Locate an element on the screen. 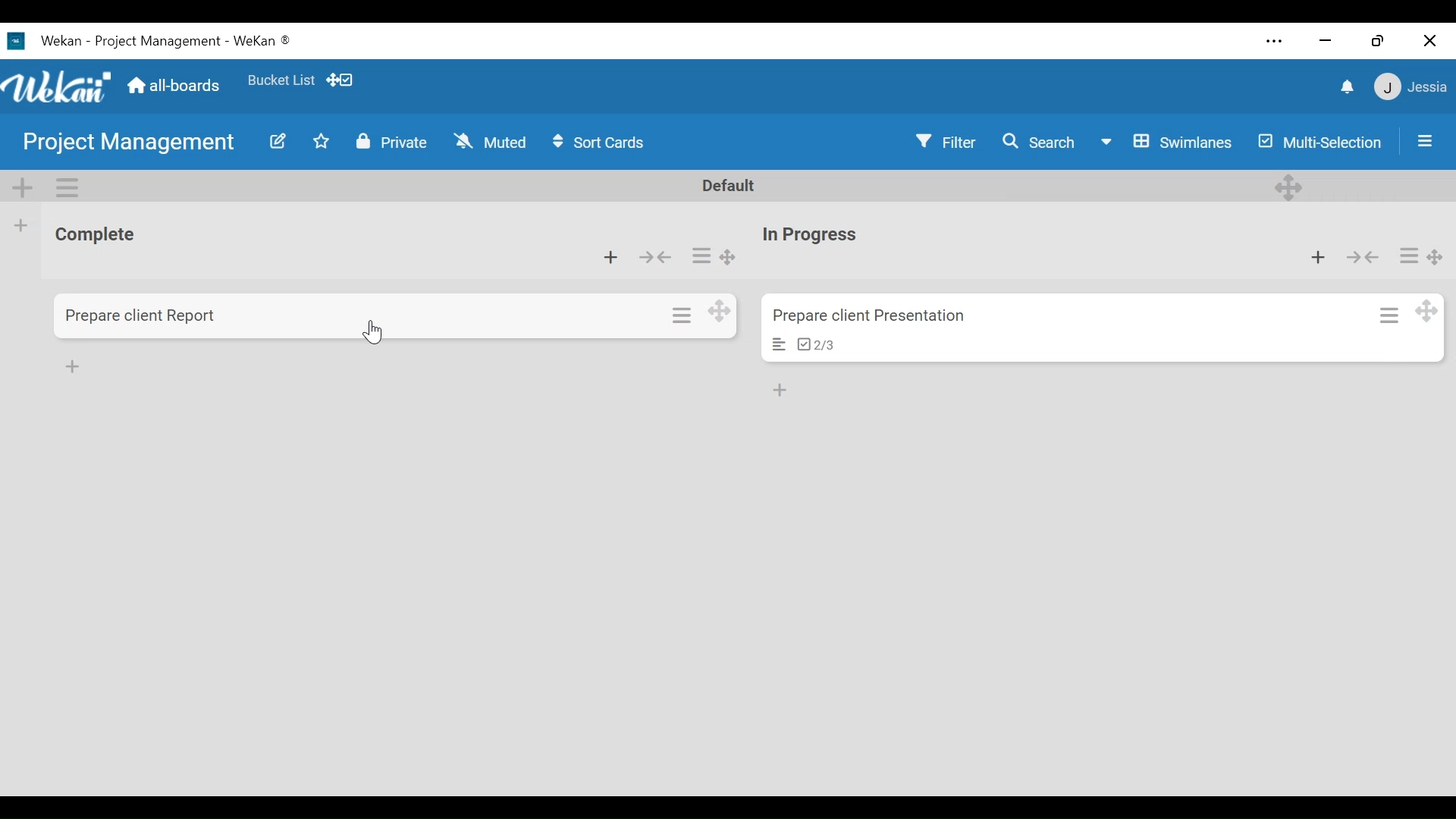 This screenshot has width=1456, height=819. Close is located at coordinates (1432, 40).